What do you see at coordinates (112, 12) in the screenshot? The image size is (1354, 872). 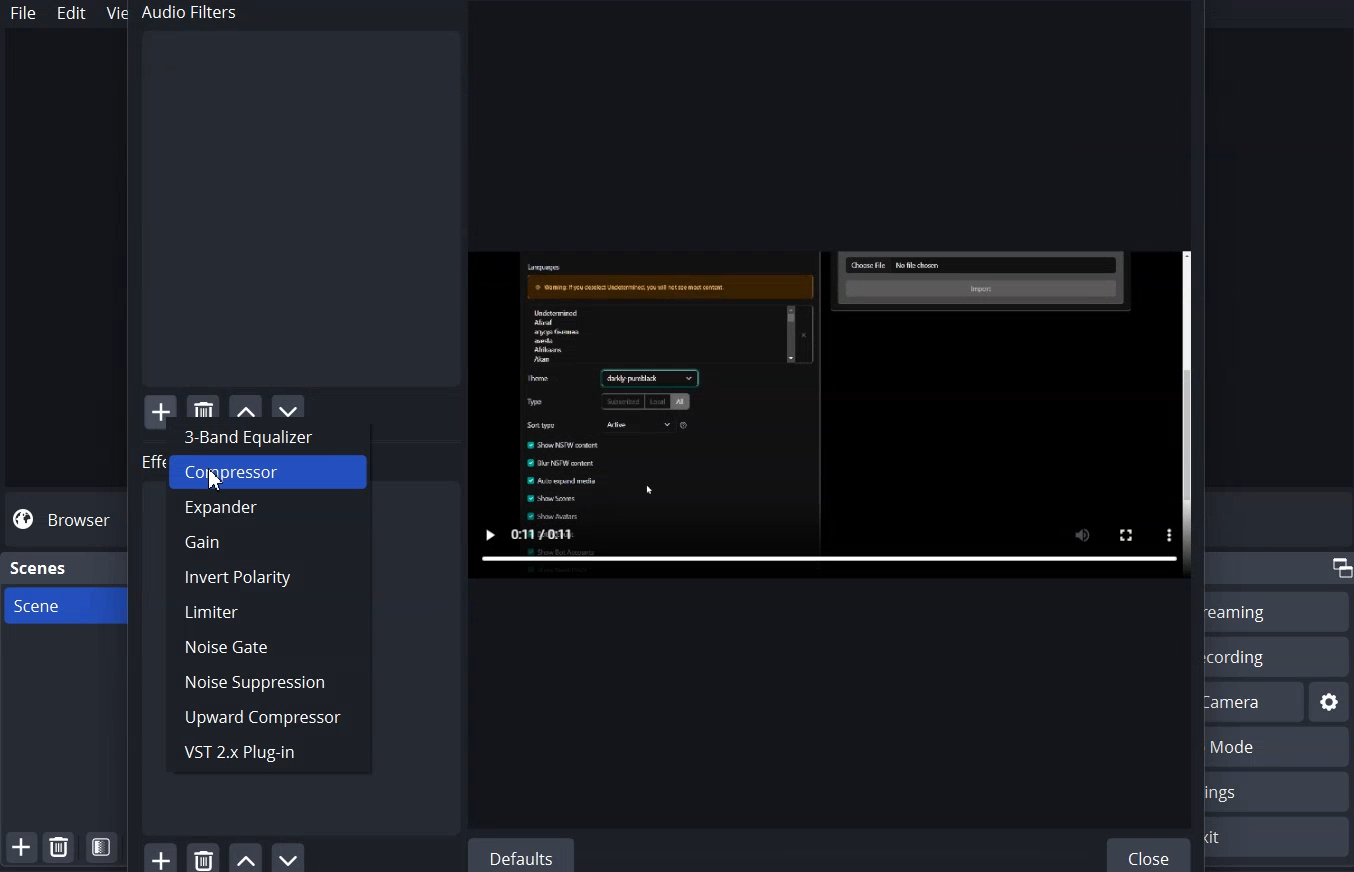 I see `View` at bounding box center [112, 12].